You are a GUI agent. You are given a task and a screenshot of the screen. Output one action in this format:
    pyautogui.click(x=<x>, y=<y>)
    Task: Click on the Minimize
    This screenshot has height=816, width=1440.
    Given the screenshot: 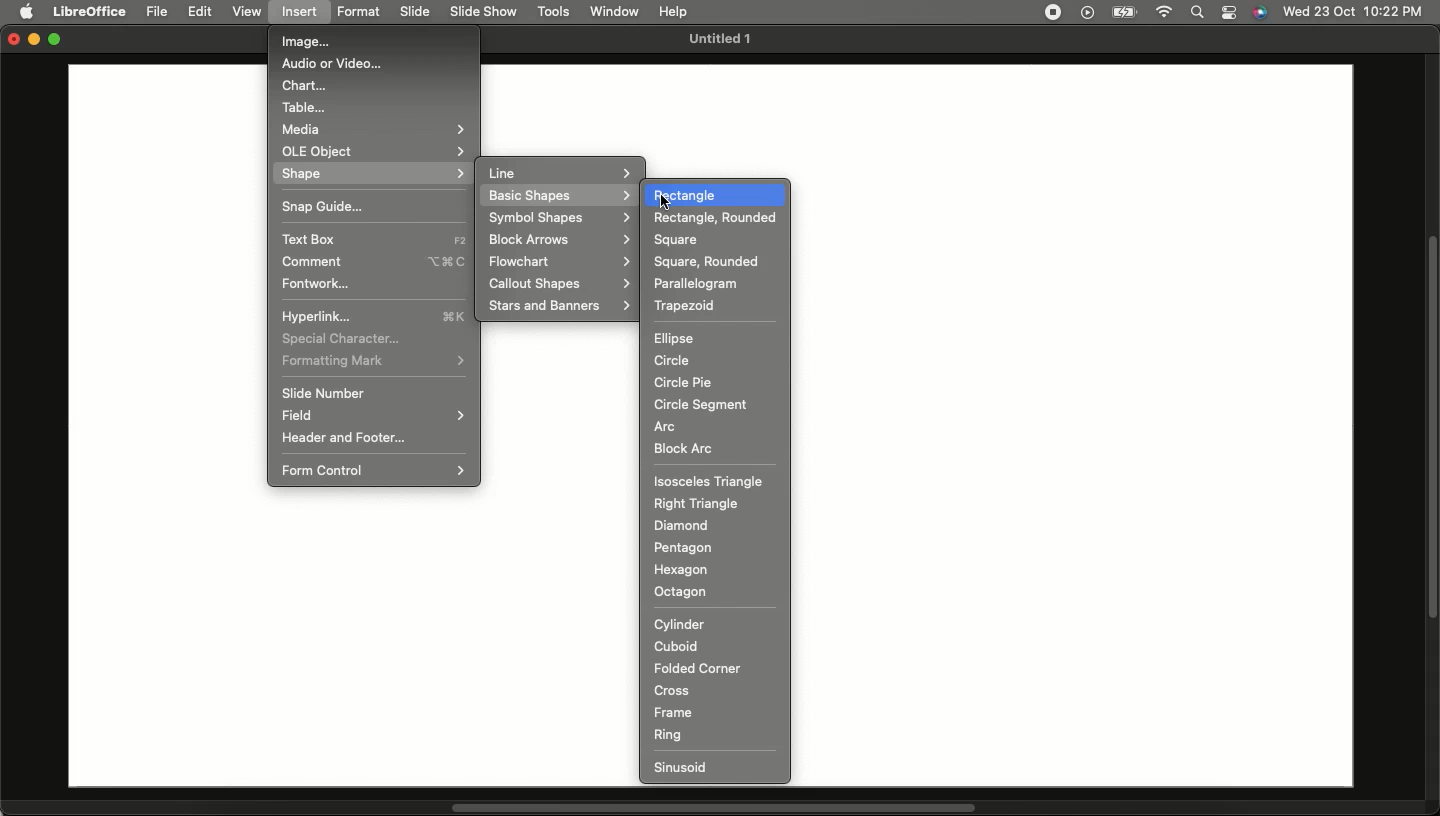 What is the action you would take?
    pyautogui.click(x=35, y=41)
    